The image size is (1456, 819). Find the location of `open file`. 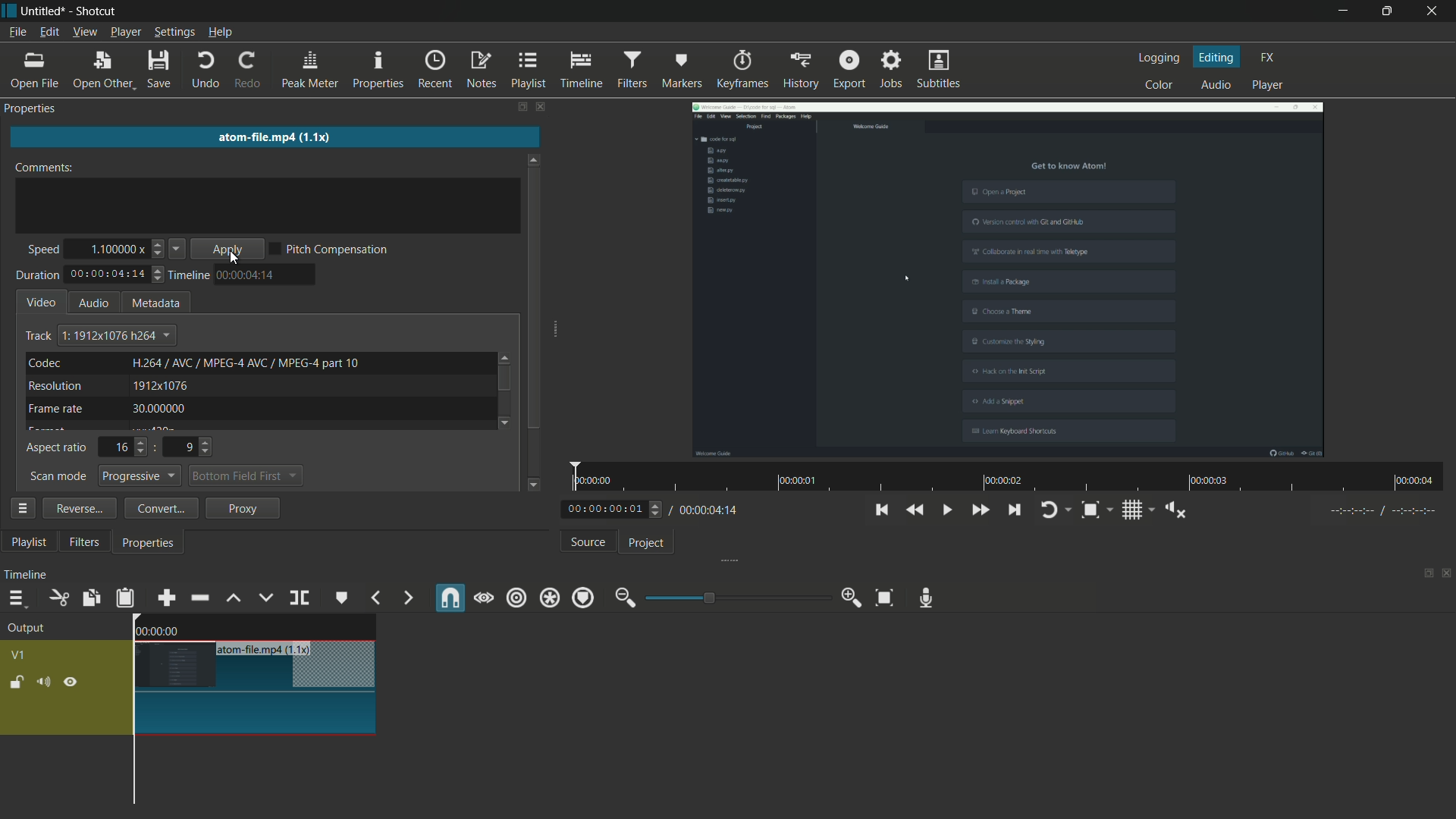

open file is located at coordinates (31, 71).